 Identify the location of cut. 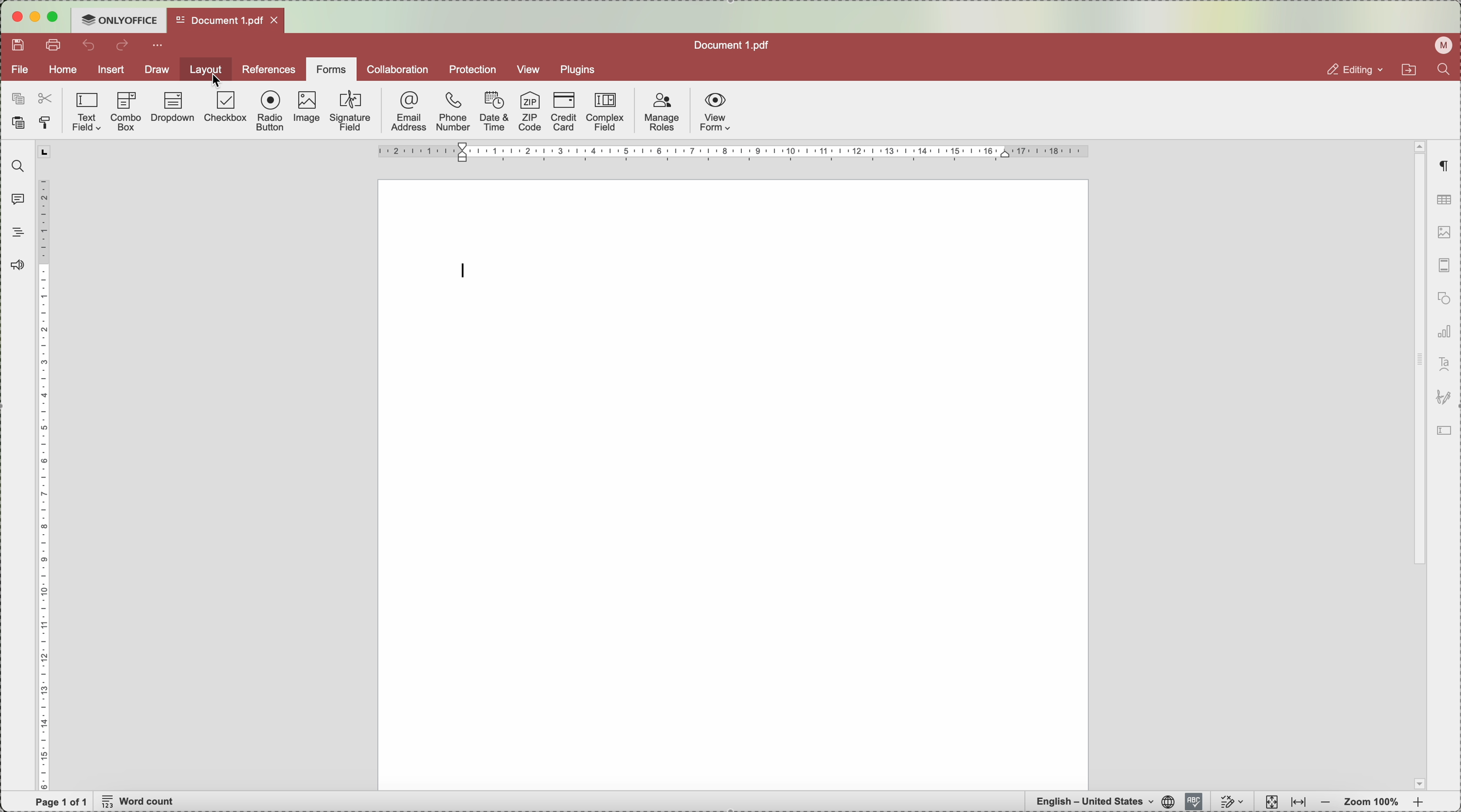
(48, 97).